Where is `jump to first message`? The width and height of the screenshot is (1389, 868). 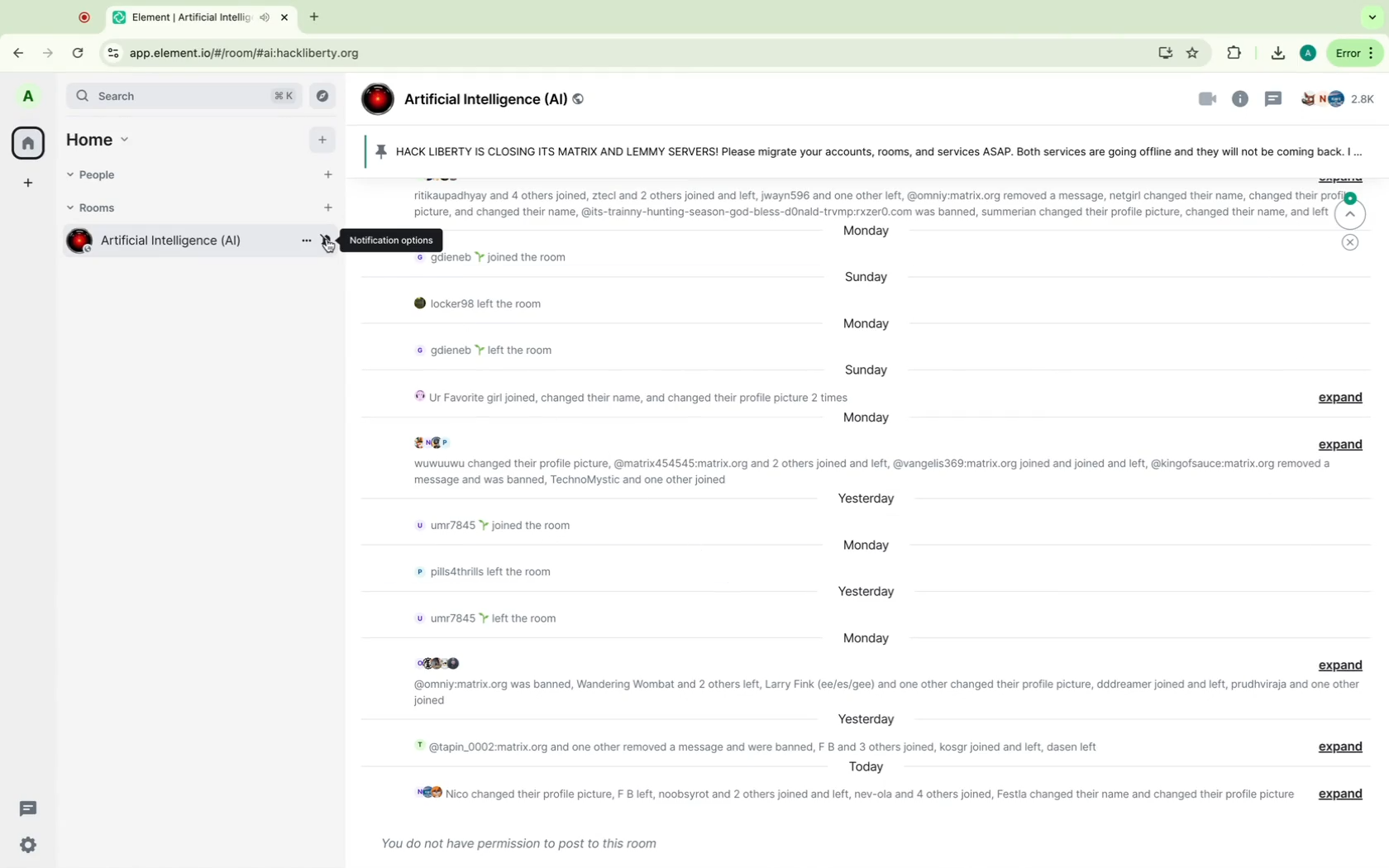
jump to first message is located at coordinates (1348, 209).